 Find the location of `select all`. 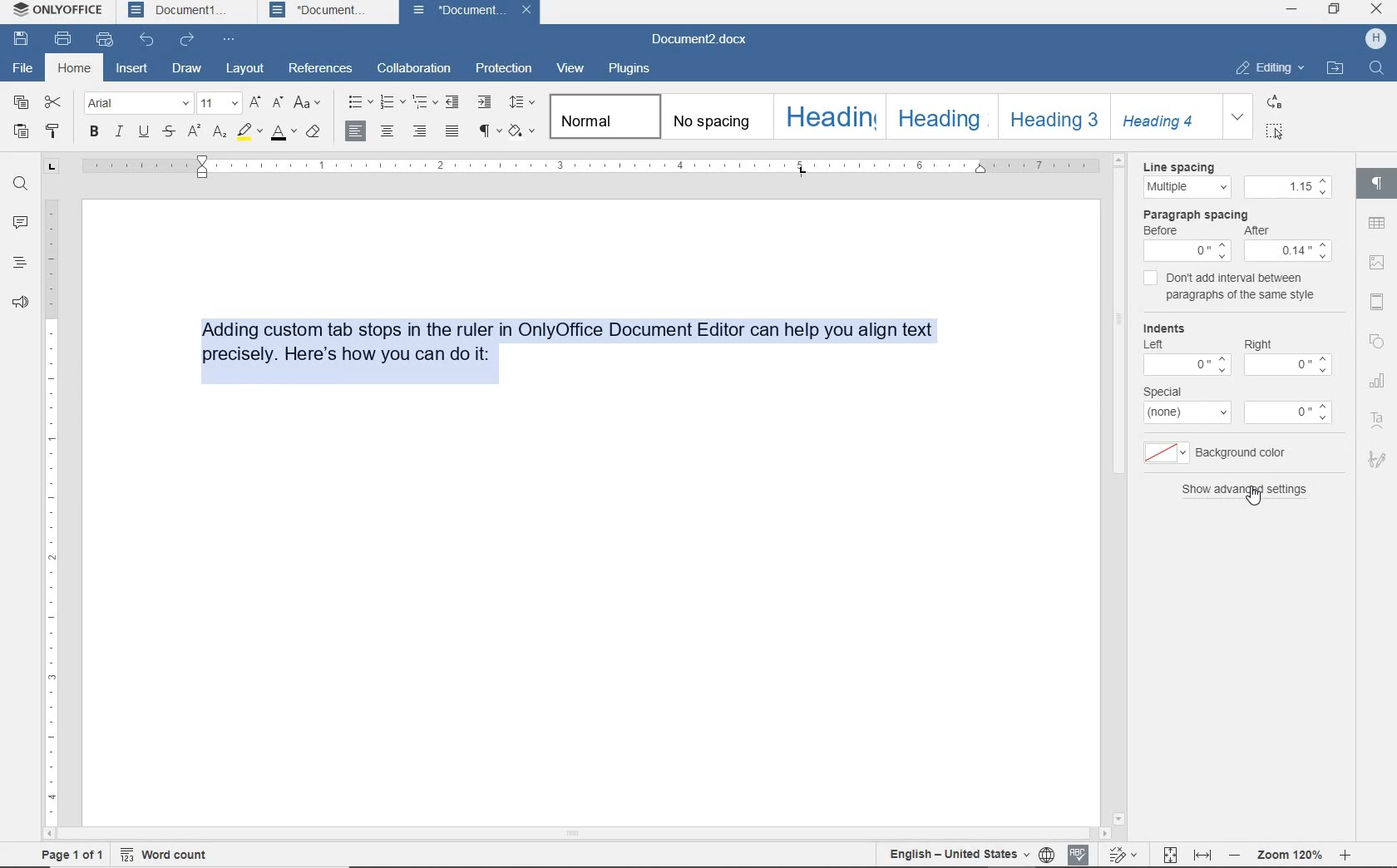

select all is located at coordinates (1276, 131).